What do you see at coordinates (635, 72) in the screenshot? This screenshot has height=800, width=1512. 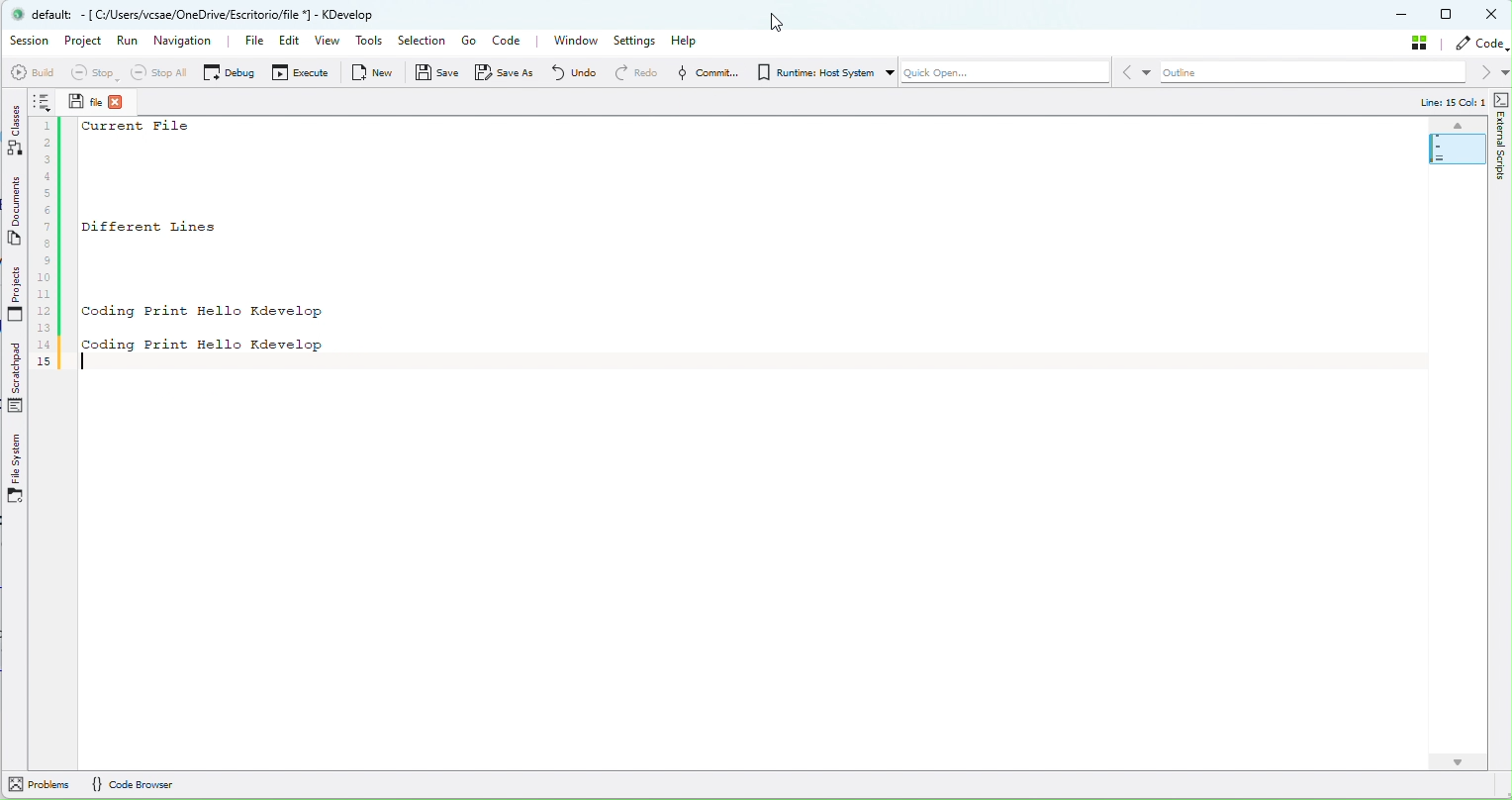 I see `redo` at bounding box center [635, 72].